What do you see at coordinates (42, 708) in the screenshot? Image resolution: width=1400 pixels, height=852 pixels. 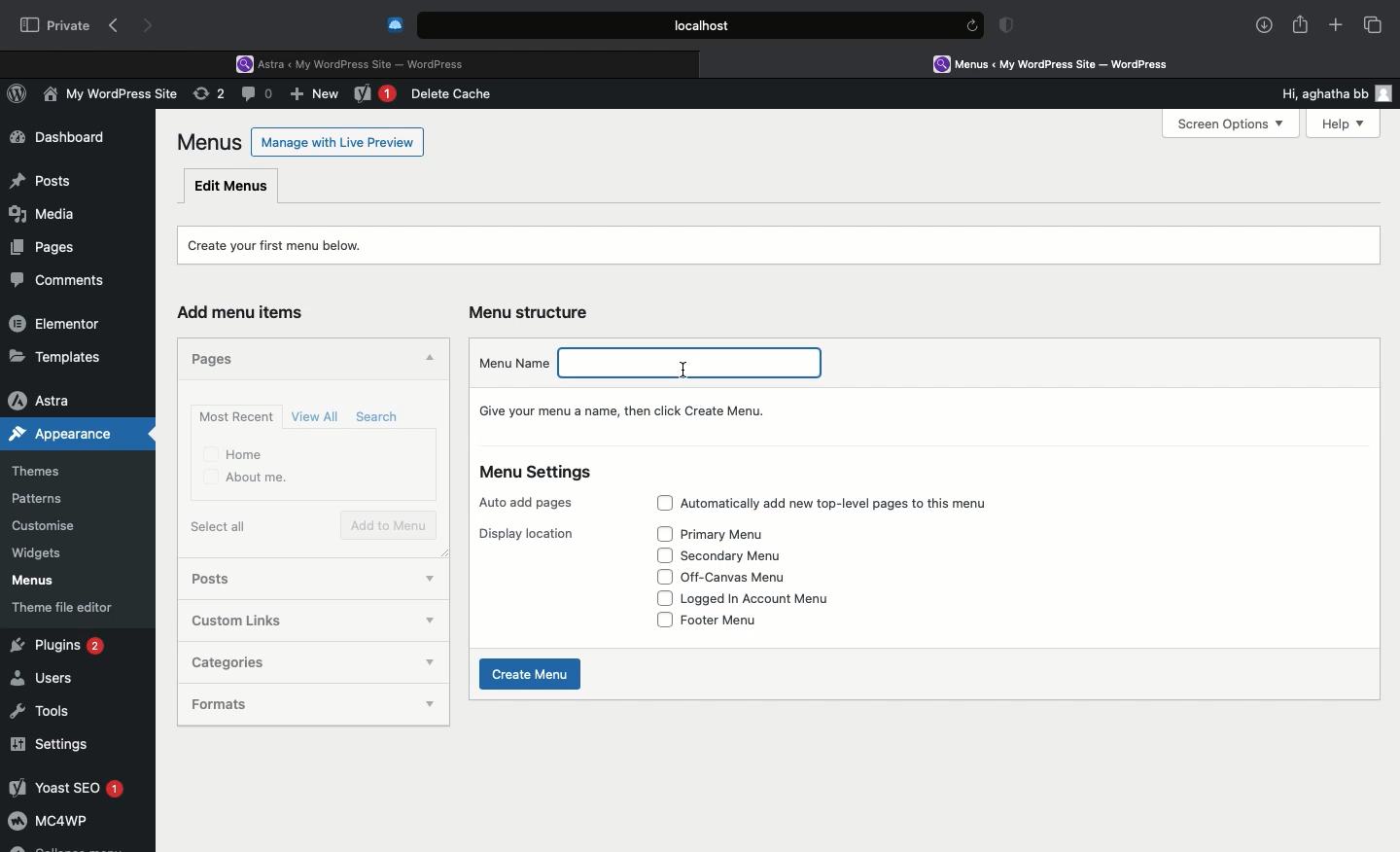 I see `Tools` at bounding box center [42, 708].